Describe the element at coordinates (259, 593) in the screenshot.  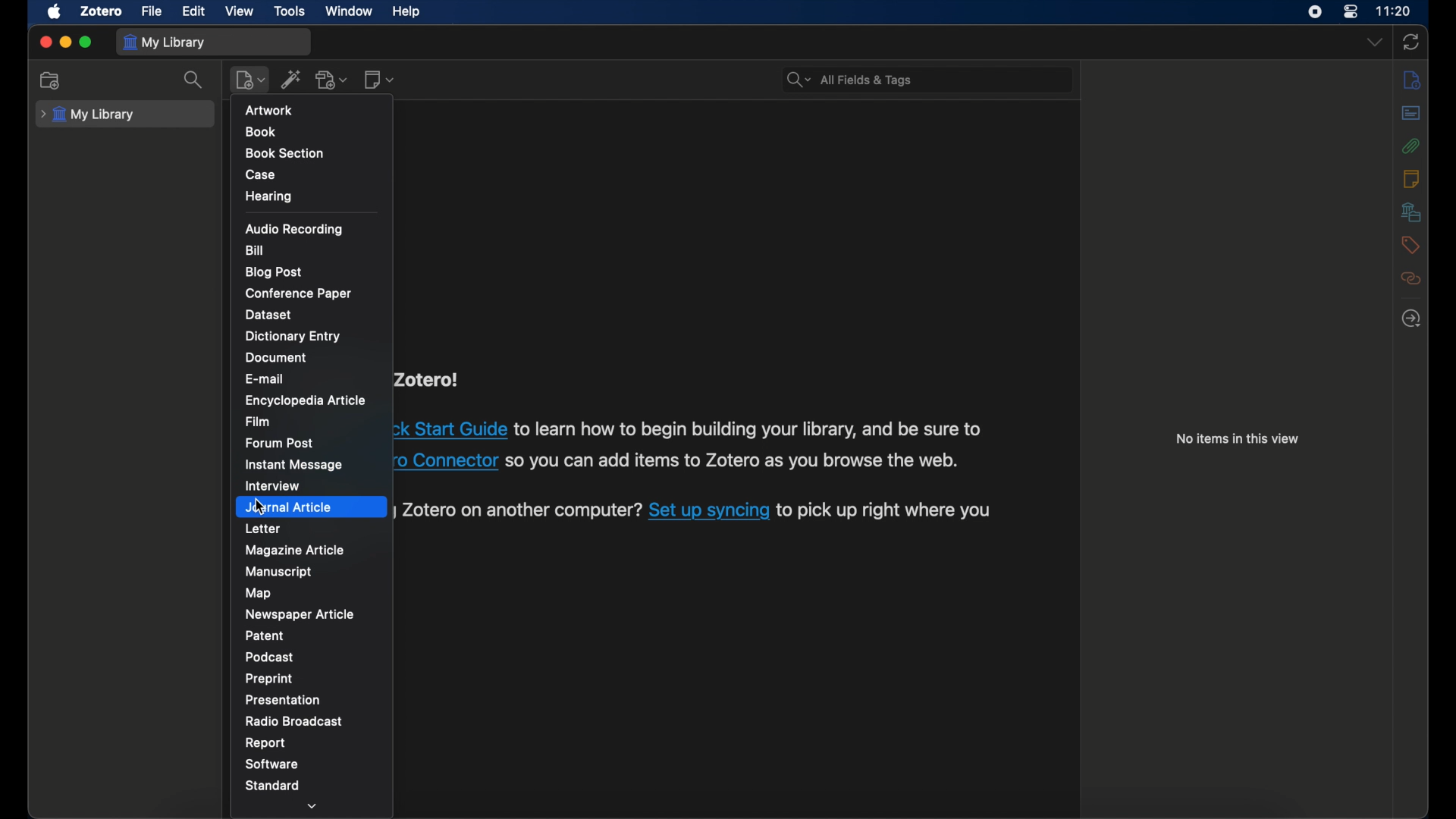
I see `map` at that location.